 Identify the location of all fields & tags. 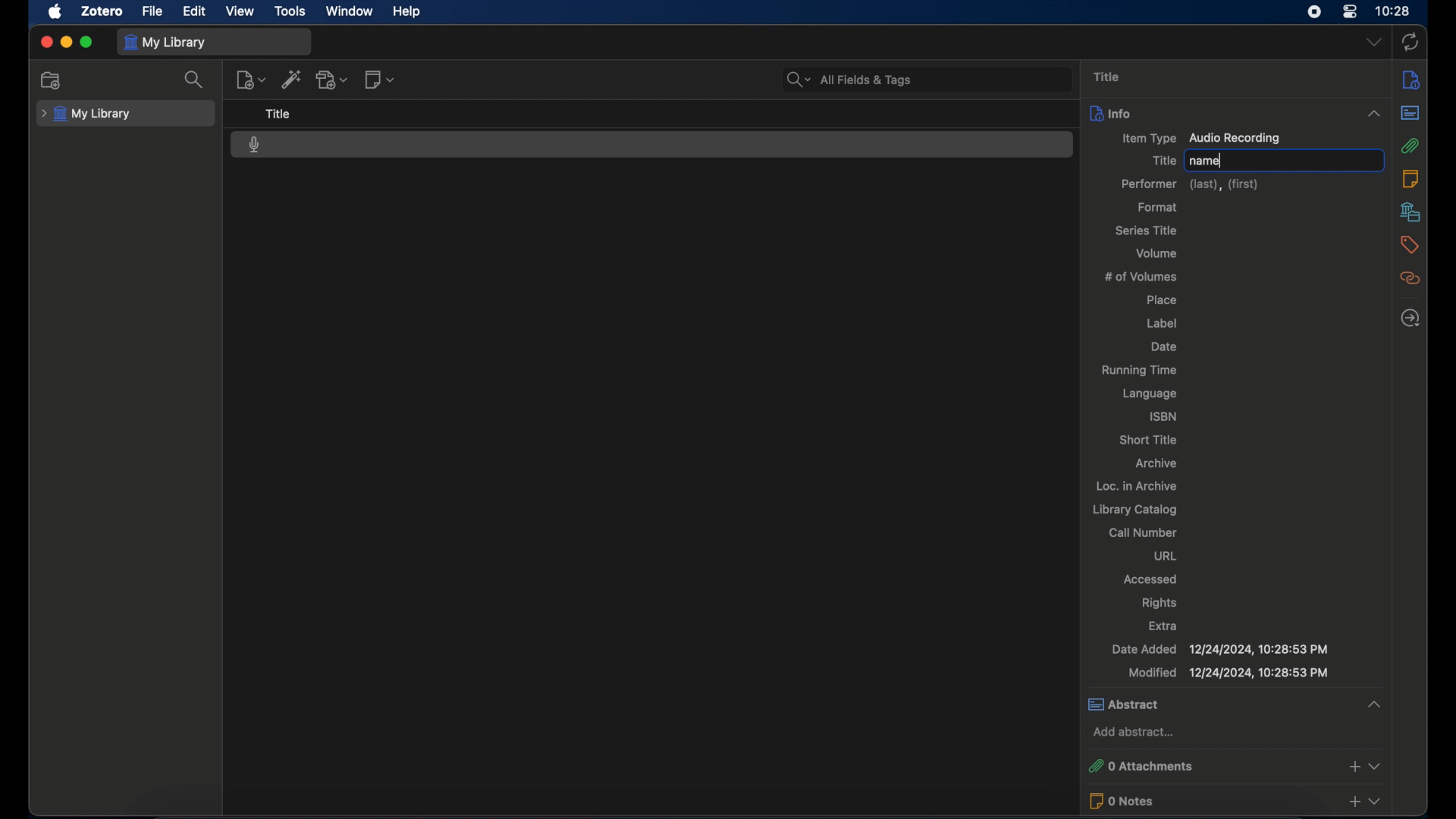
(848, 79).